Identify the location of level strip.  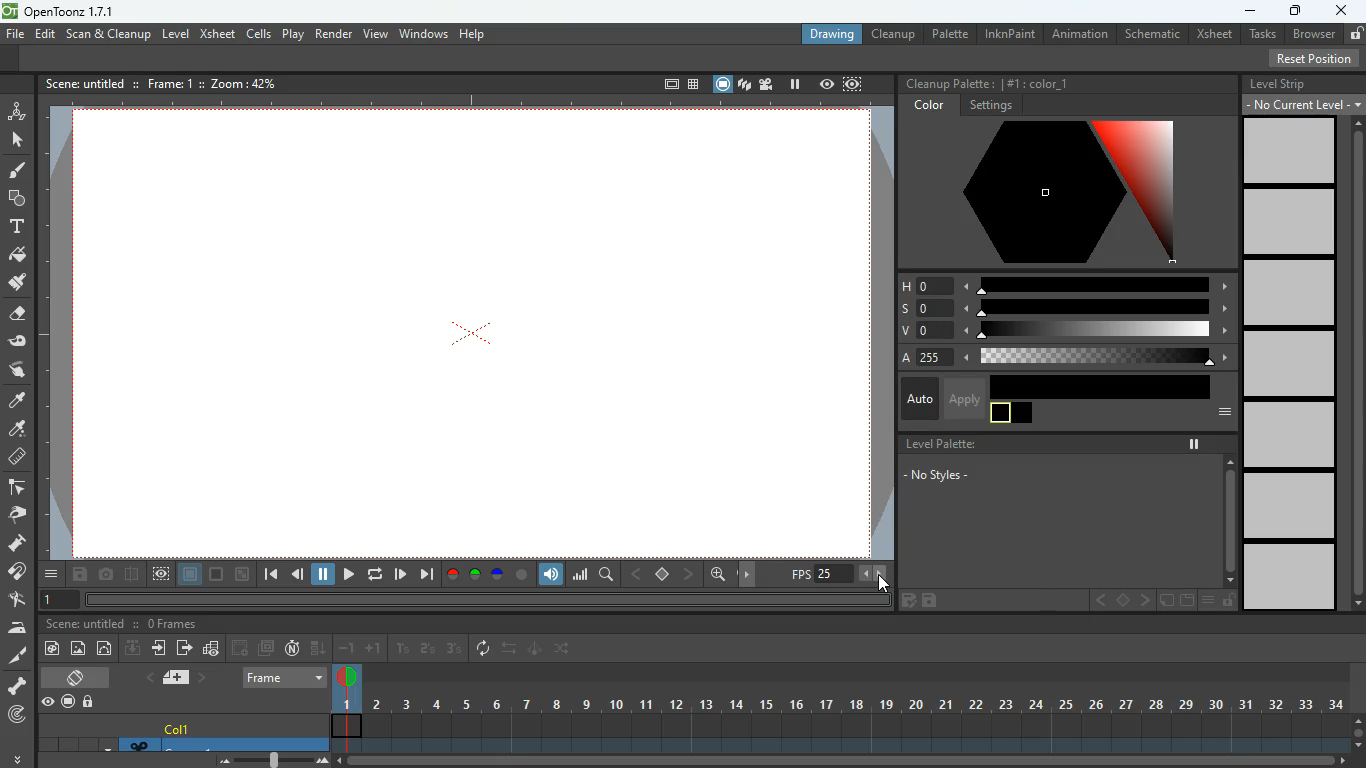
(1281, 83).